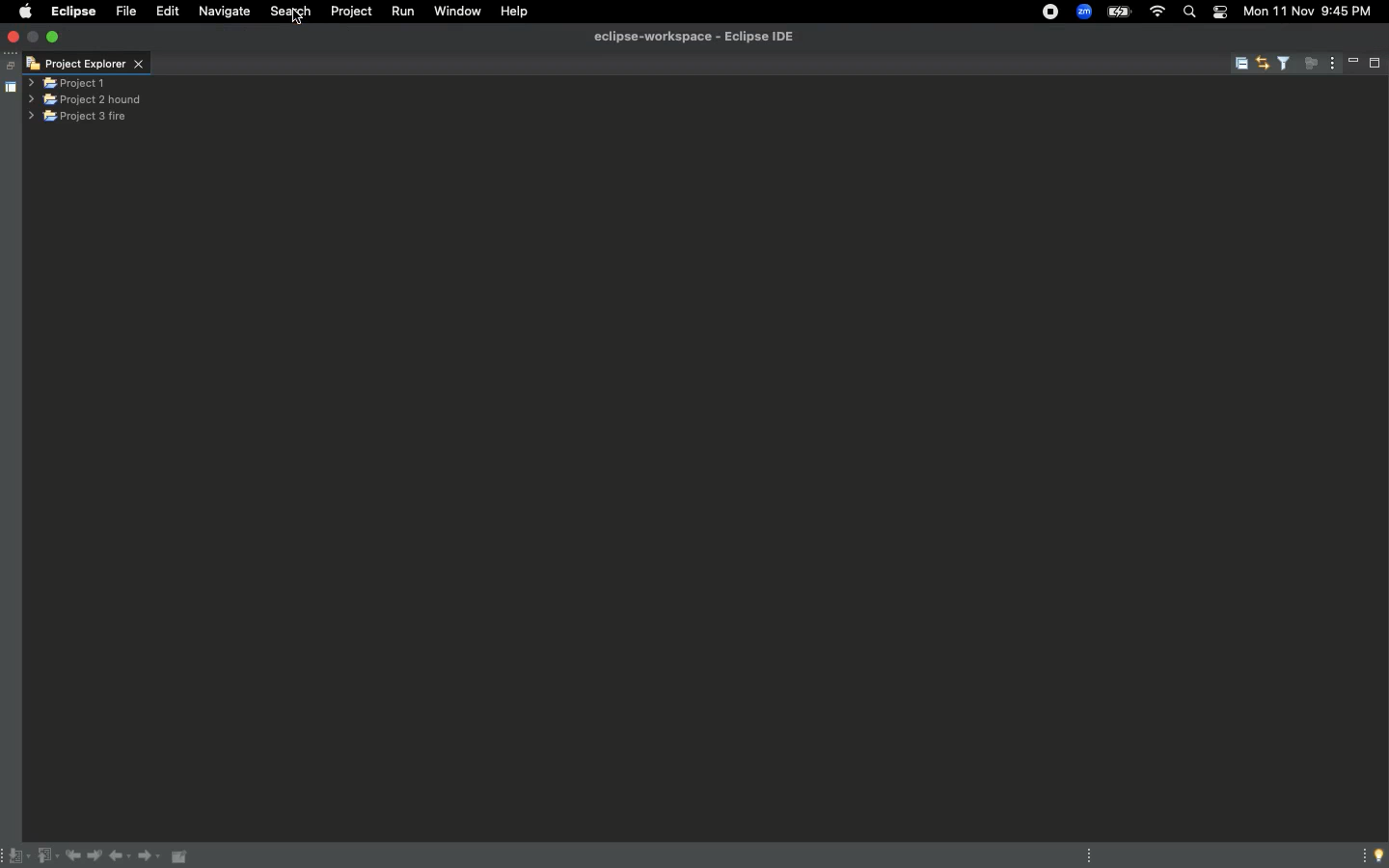 The height and width of the screenshot is (868, 1389). I want to click on Focus on active task, so click(1309, 65).